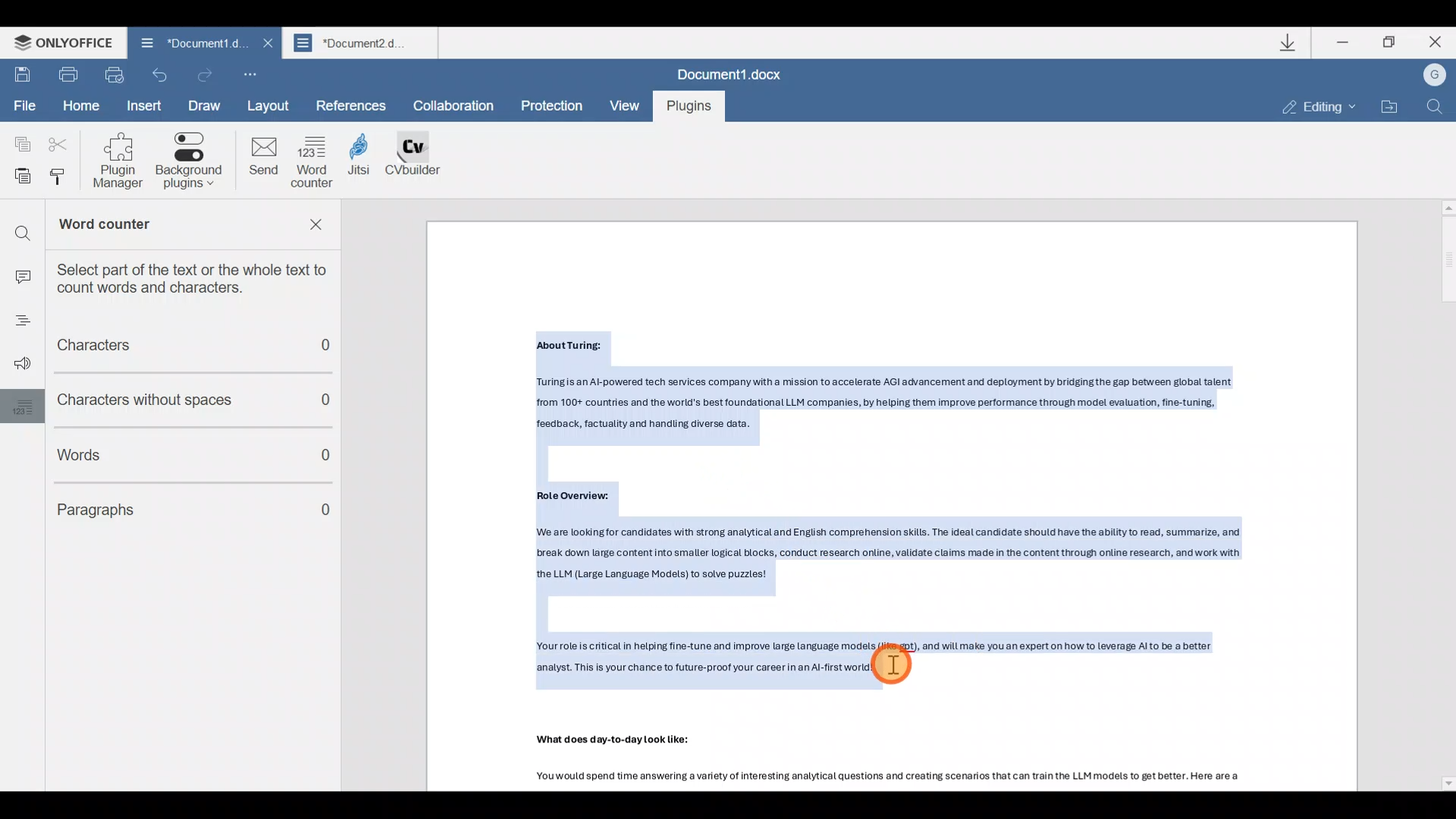  What do you see at coordinates (1442, 494) in the screenshot?
I see `Scroll bar` at bounding box center [1442, 494].